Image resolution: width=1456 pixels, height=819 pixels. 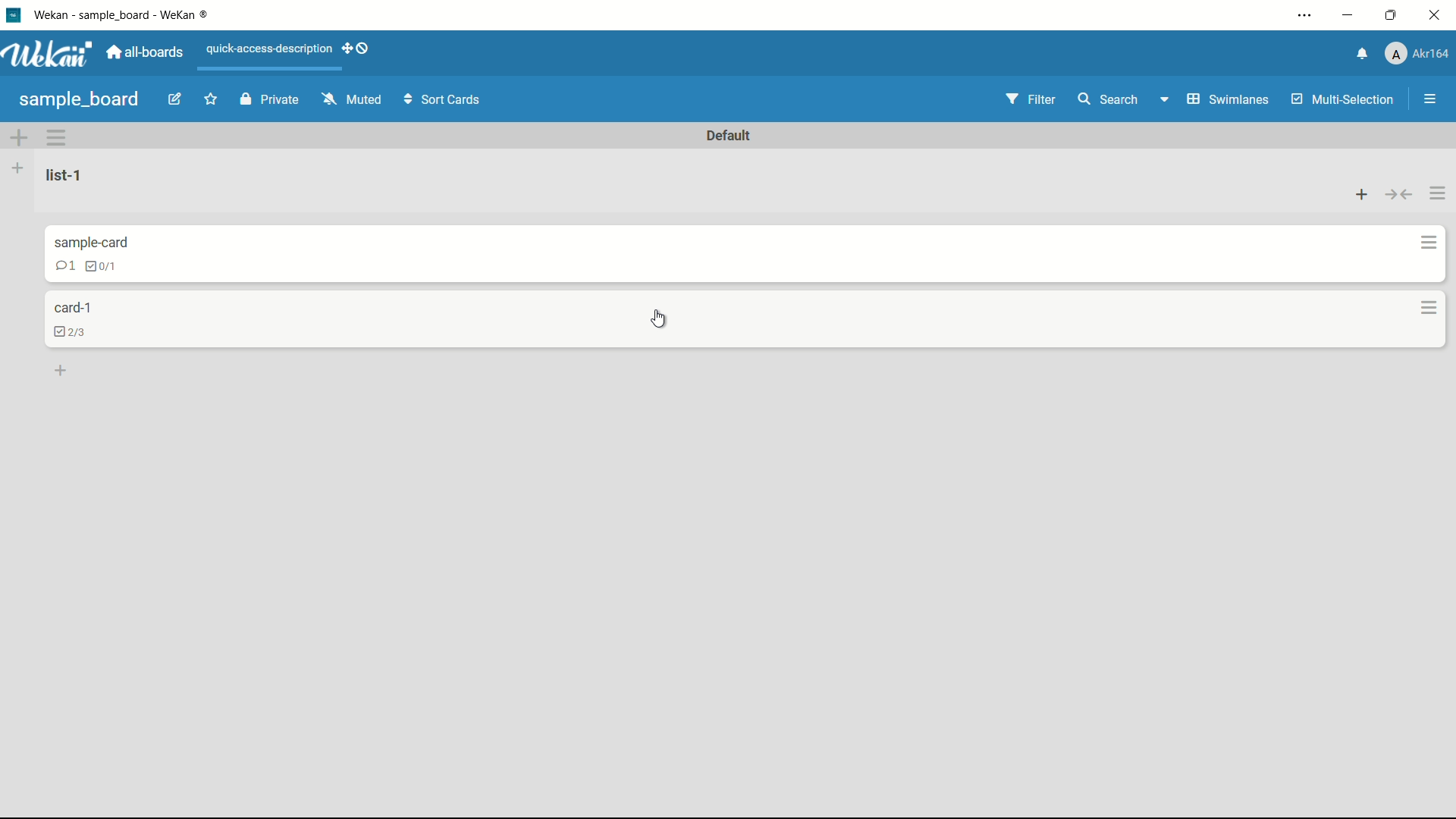 I want to click on card actions, so click(x=1429, y=307).